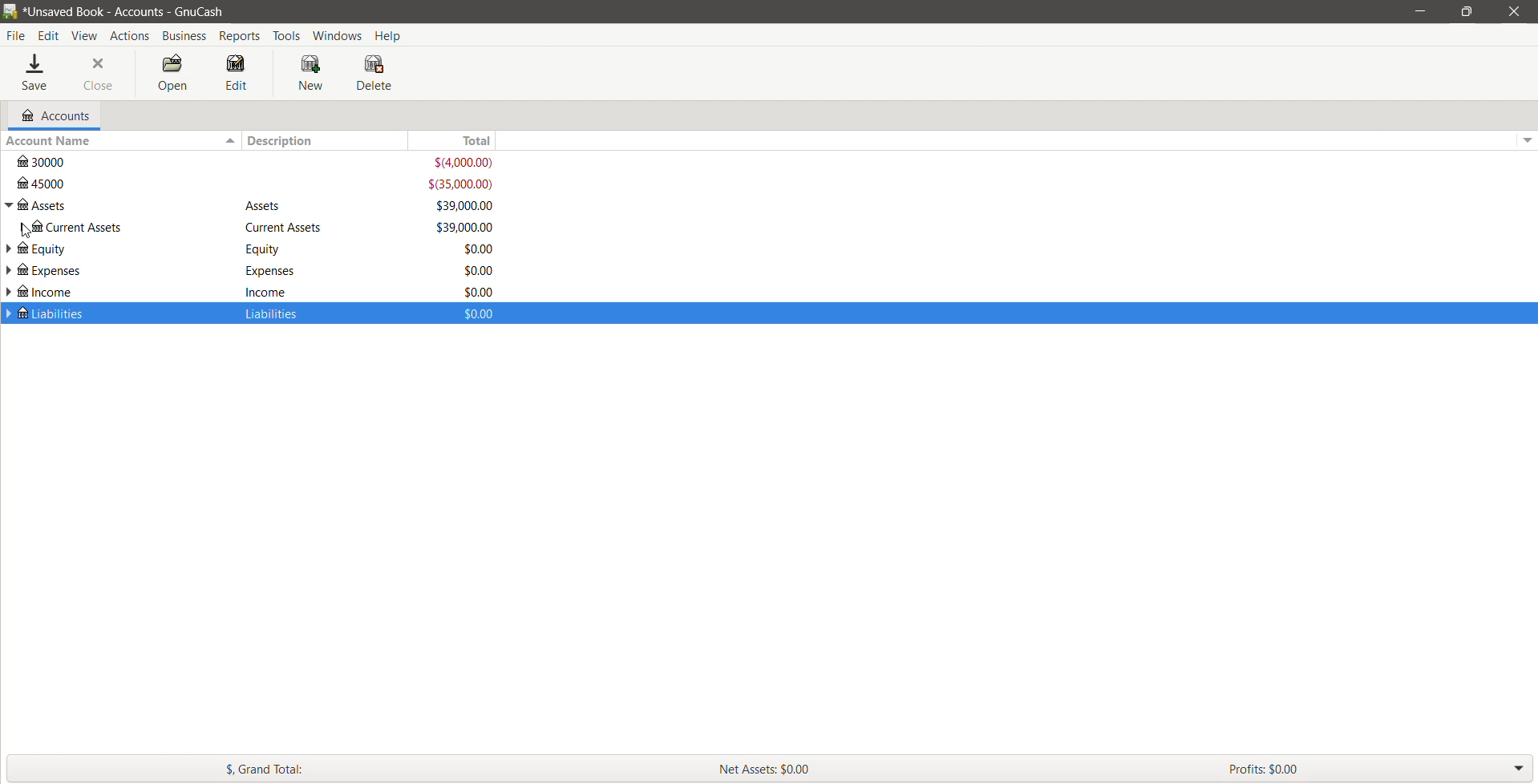  What do you see at coordinates (277, 269) in the screenshot?
I see `Income` at bounding box center [277, 269].